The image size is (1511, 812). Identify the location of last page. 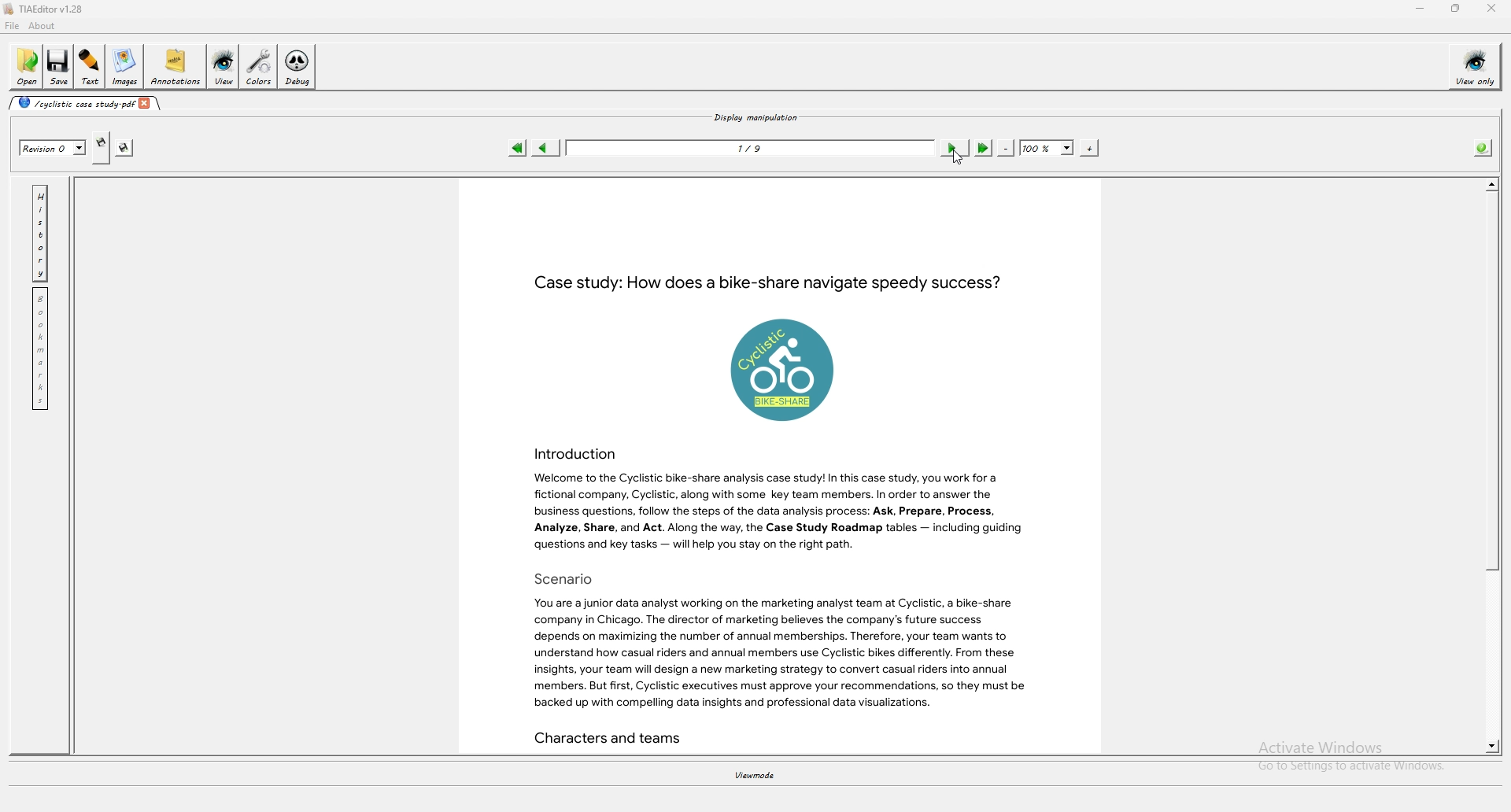
(983, 148).